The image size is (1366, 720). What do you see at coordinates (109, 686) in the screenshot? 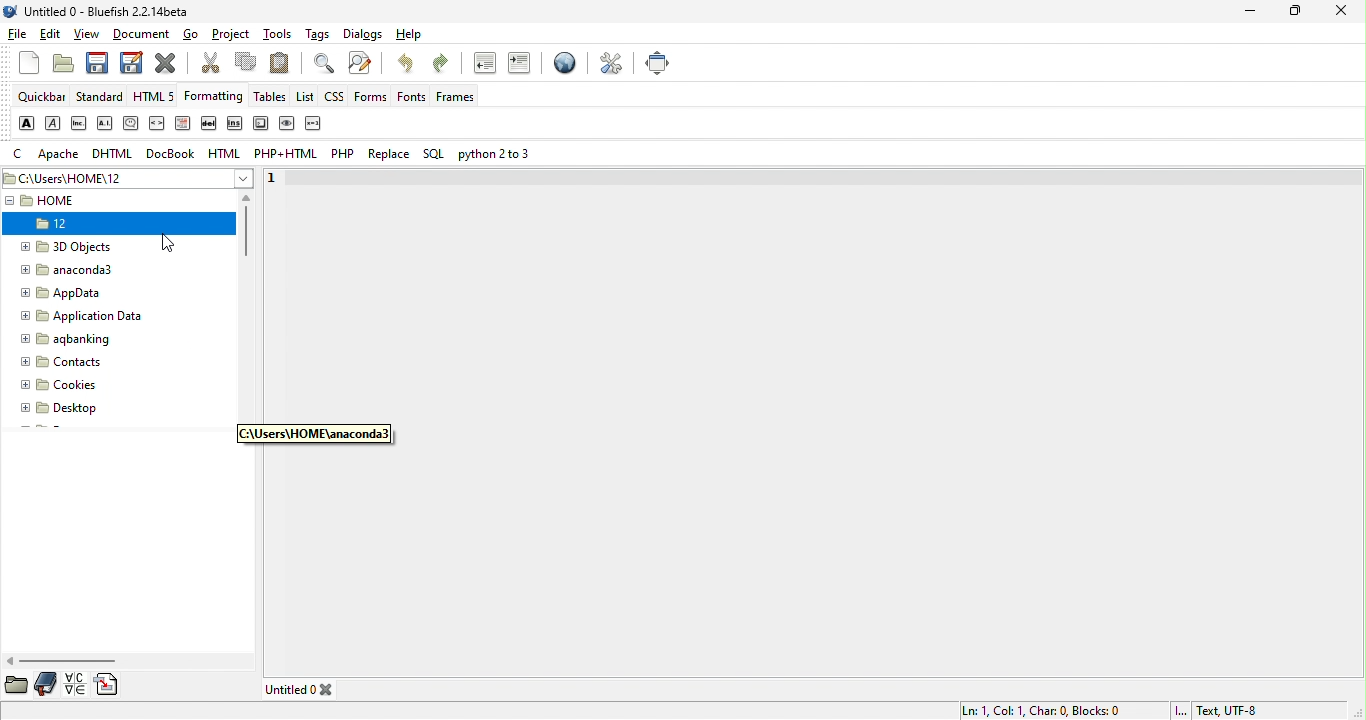
I see `snippets` at bounding box center [109, 686].